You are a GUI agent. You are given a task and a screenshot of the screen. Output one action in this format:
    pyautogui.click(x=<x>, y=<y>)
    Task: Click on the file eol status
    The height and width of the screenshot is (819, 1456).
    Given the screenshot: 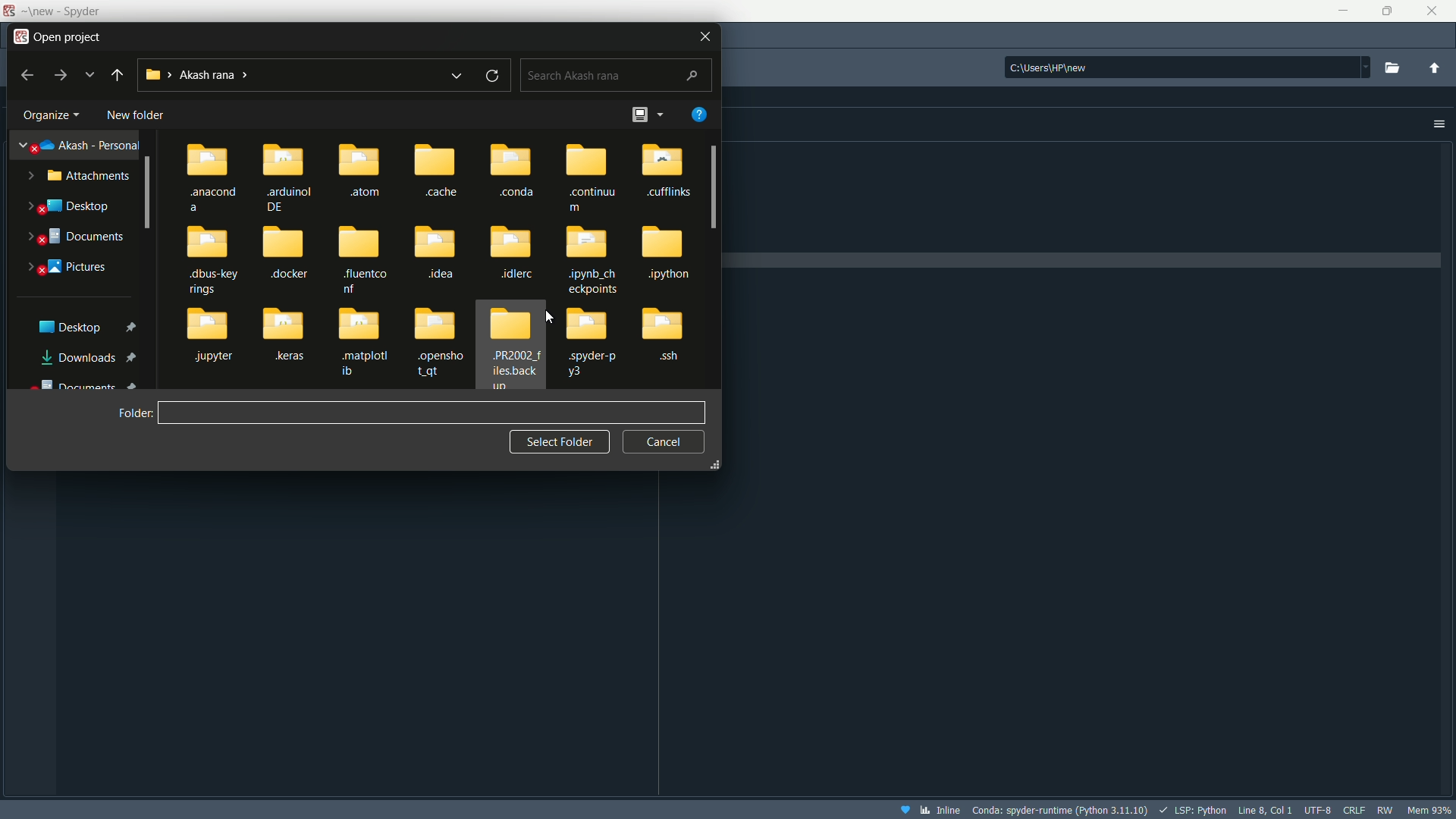 What is the action you would take?
    pyautogui.click(x=1354, y=808)
    